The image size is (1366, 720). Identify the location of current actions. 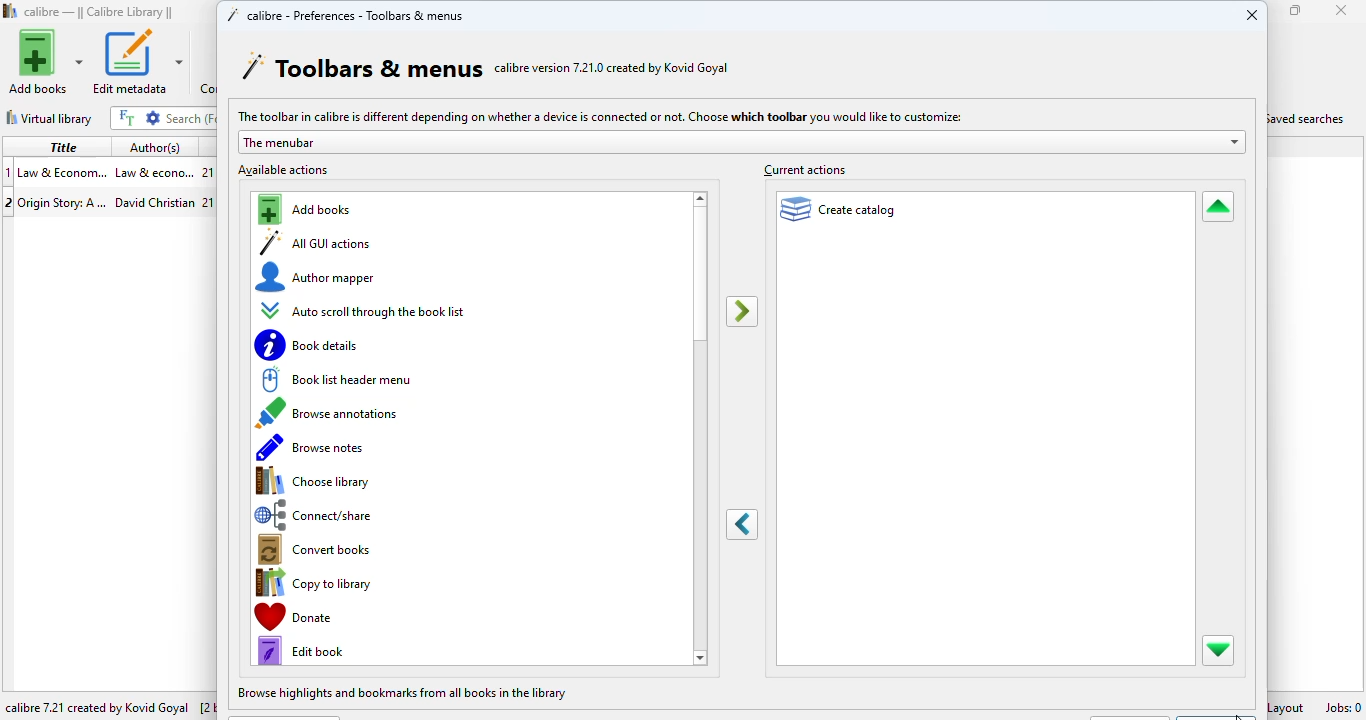
(803, 169).